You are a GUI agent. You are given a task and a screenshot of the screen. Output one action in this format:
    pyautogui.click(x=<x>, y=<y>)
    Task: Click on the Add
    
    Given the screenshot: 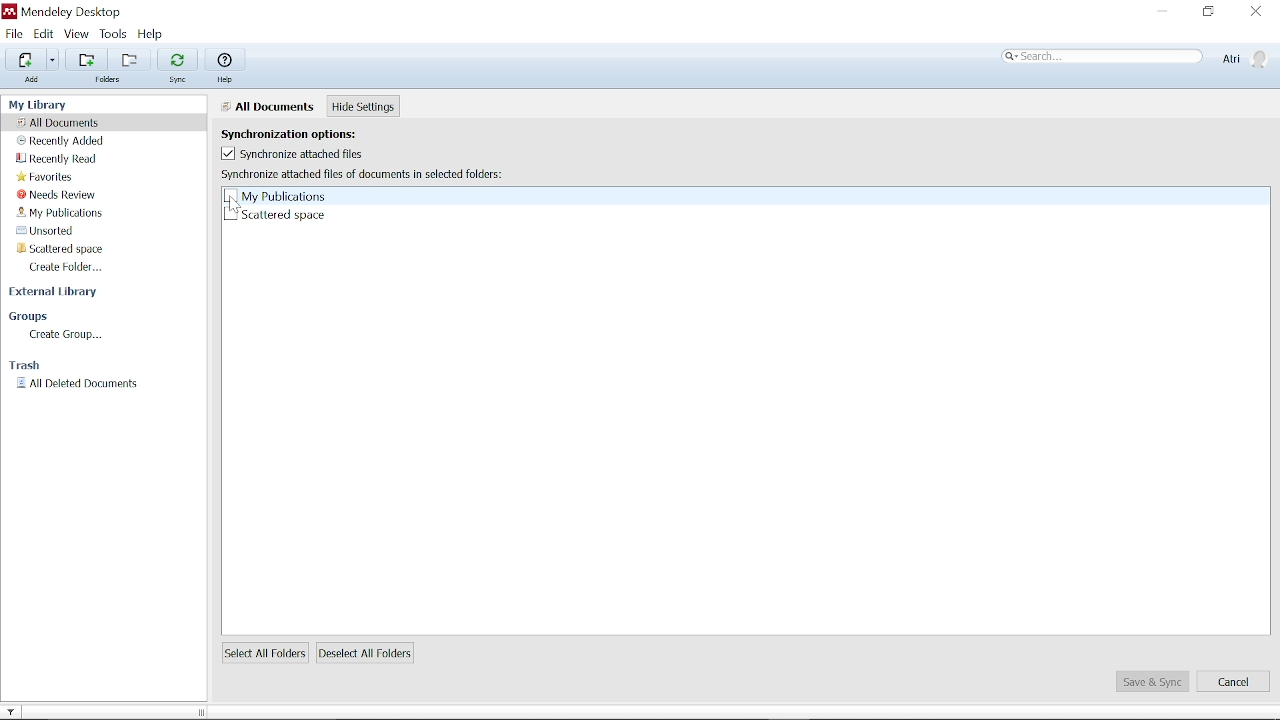 What is the action you would take?
    pyautogui.click(x=34, y=83)
    